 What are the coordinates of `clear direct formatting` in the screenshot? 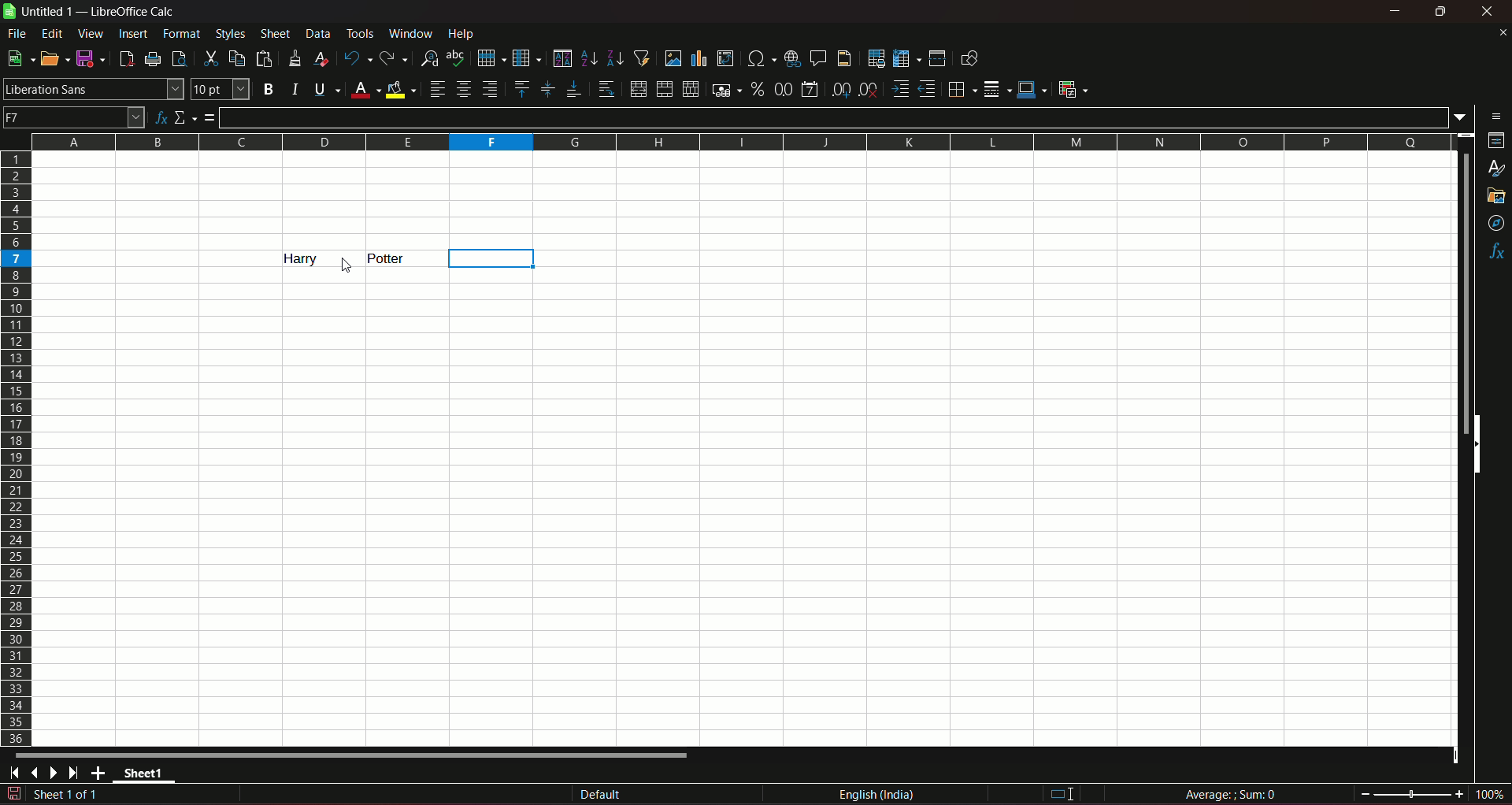 It's located at (324, 58).